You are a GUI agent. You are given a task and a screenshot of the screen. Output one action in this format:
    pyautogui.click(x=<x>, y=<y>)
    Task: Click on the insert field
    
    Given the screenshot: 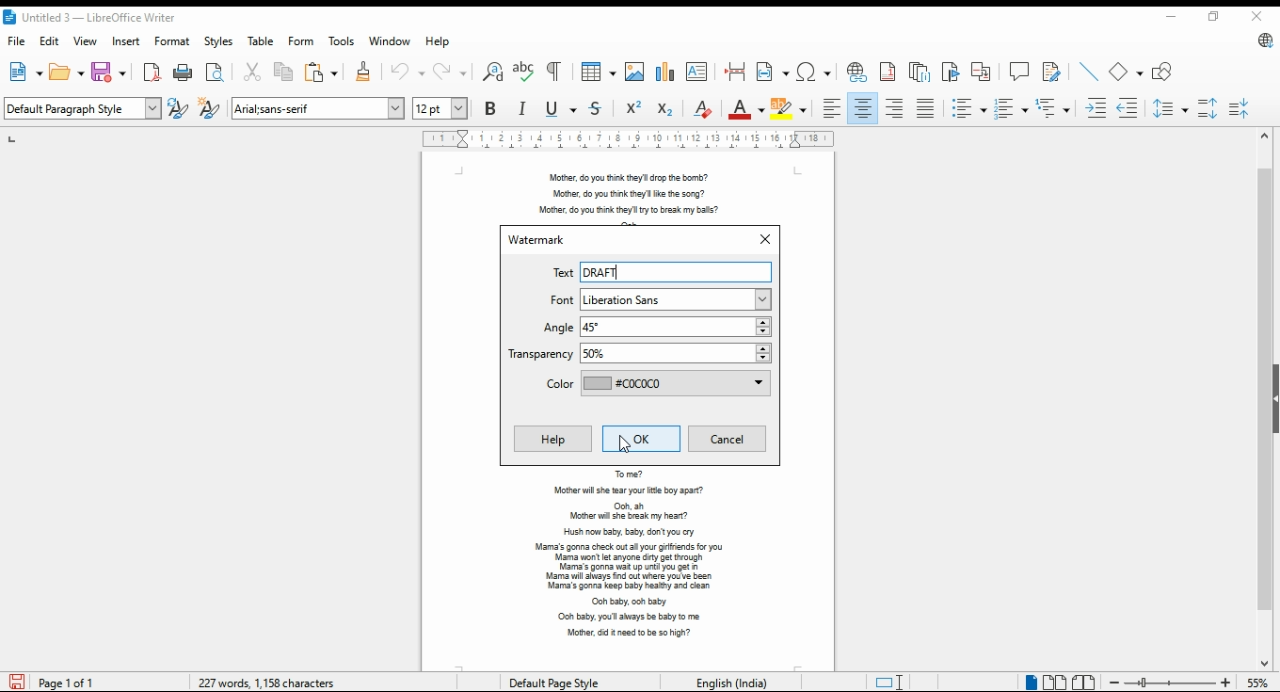 What is the action you would take?
    pyautogui.click(x=773, y=72)
    